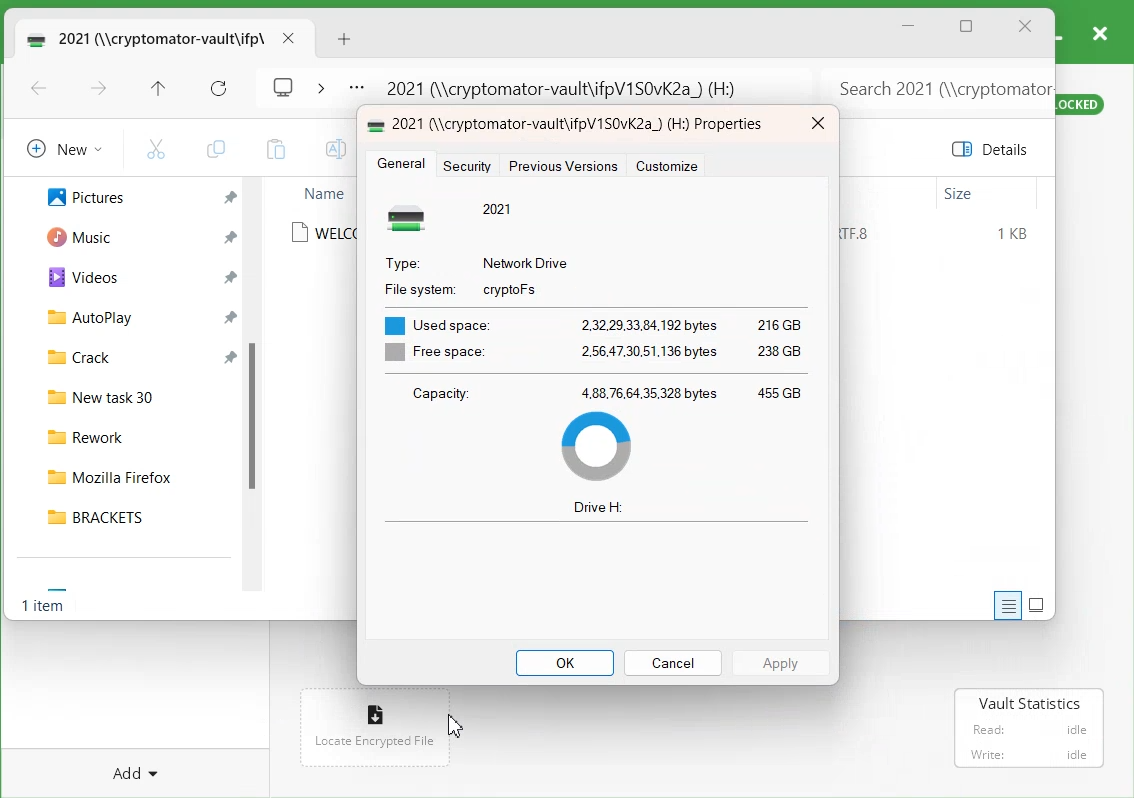 The image size is (1134, 798). I want to click on 2322933.84.192 bytes, so click(648, 322).